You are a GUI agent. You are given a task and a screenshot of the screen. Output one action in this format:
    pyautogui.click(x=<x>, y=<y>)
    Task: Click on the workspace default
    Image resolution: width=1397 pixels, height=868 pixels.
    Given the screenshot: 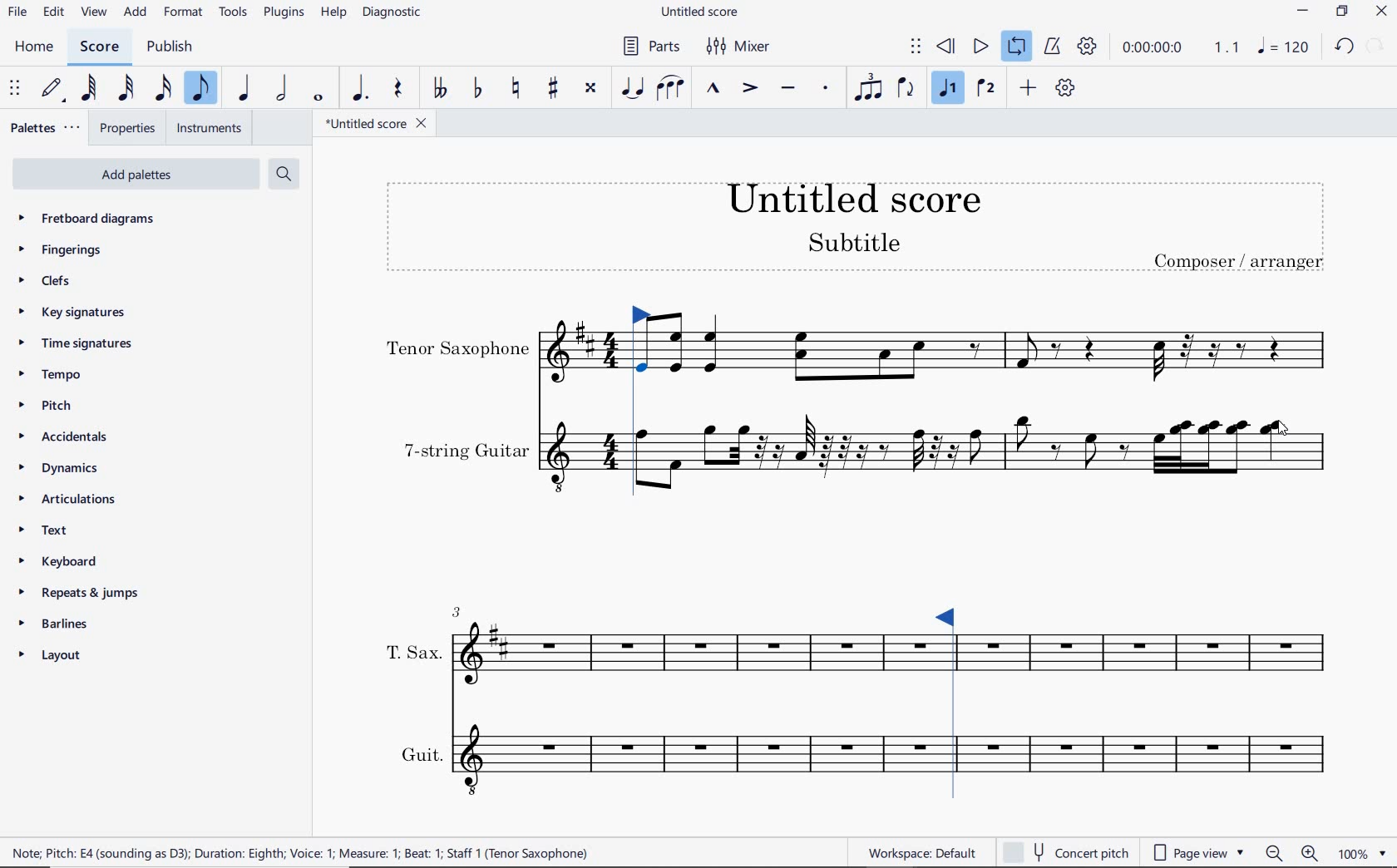 What is the action you would take?
    pyautogui.click(x=926, y=853)
    